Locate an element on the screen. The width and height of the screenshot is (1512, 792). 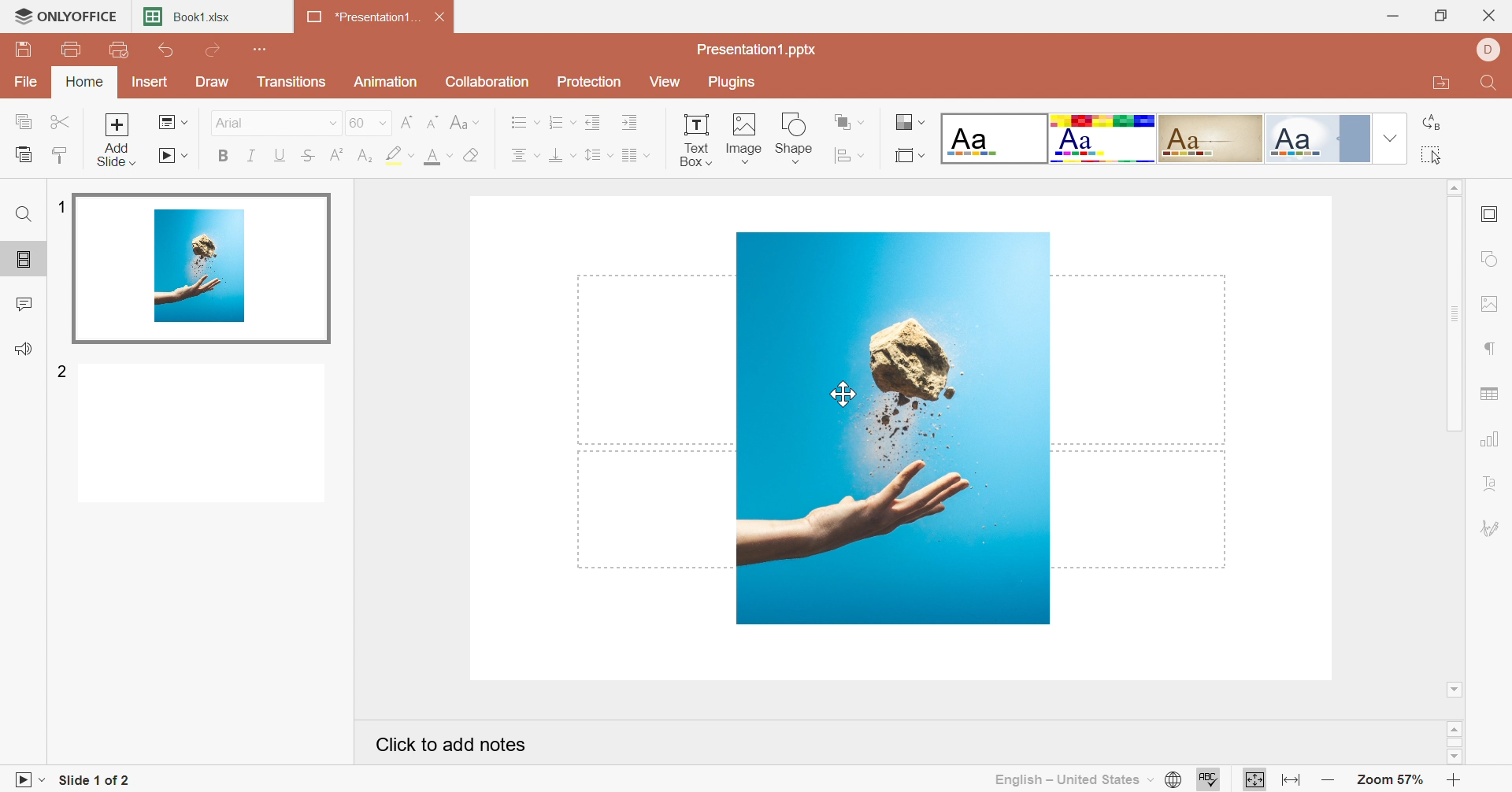
Insert is located at coordinates (150, 81).